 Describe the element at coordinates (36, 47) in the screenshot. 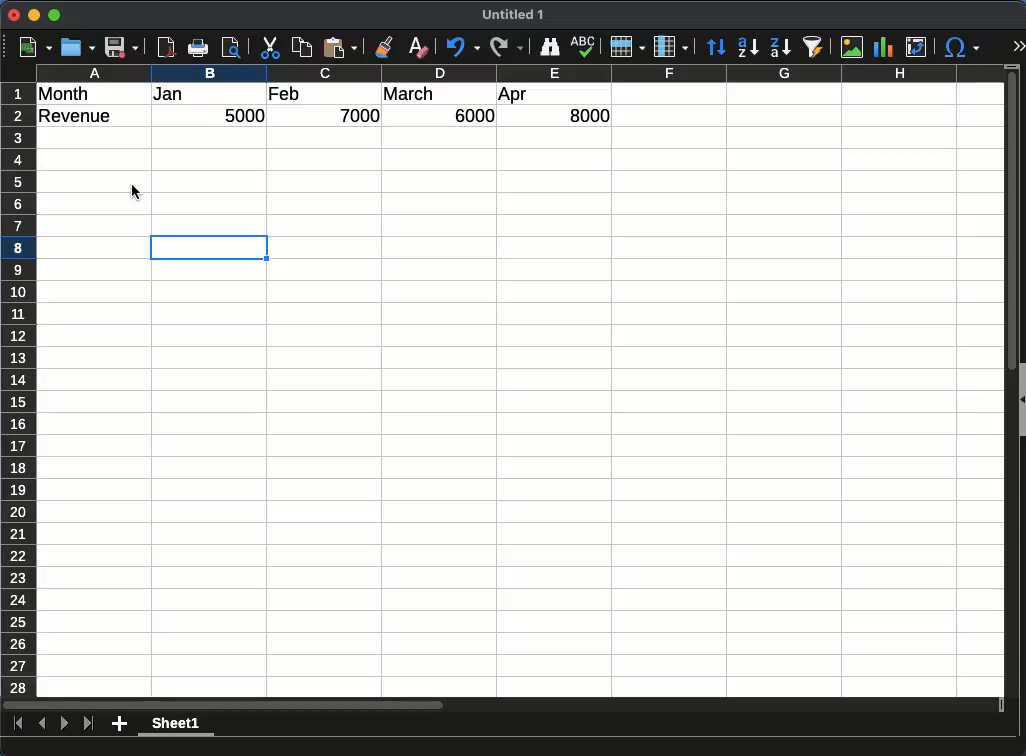

I see `new` at that location.